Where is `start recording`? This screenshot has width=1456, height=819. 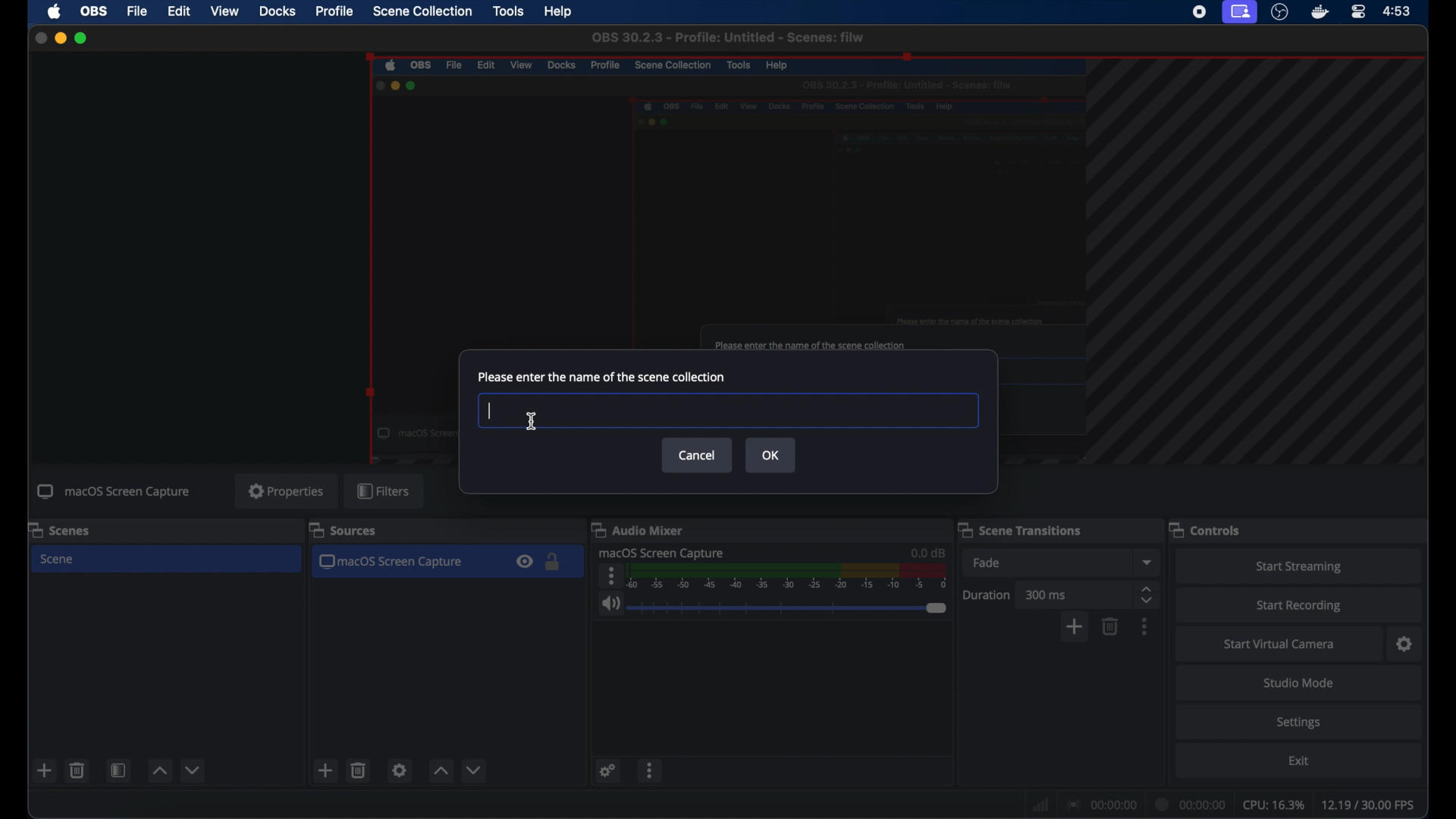
start recording is located at coordinates (1303, 604).